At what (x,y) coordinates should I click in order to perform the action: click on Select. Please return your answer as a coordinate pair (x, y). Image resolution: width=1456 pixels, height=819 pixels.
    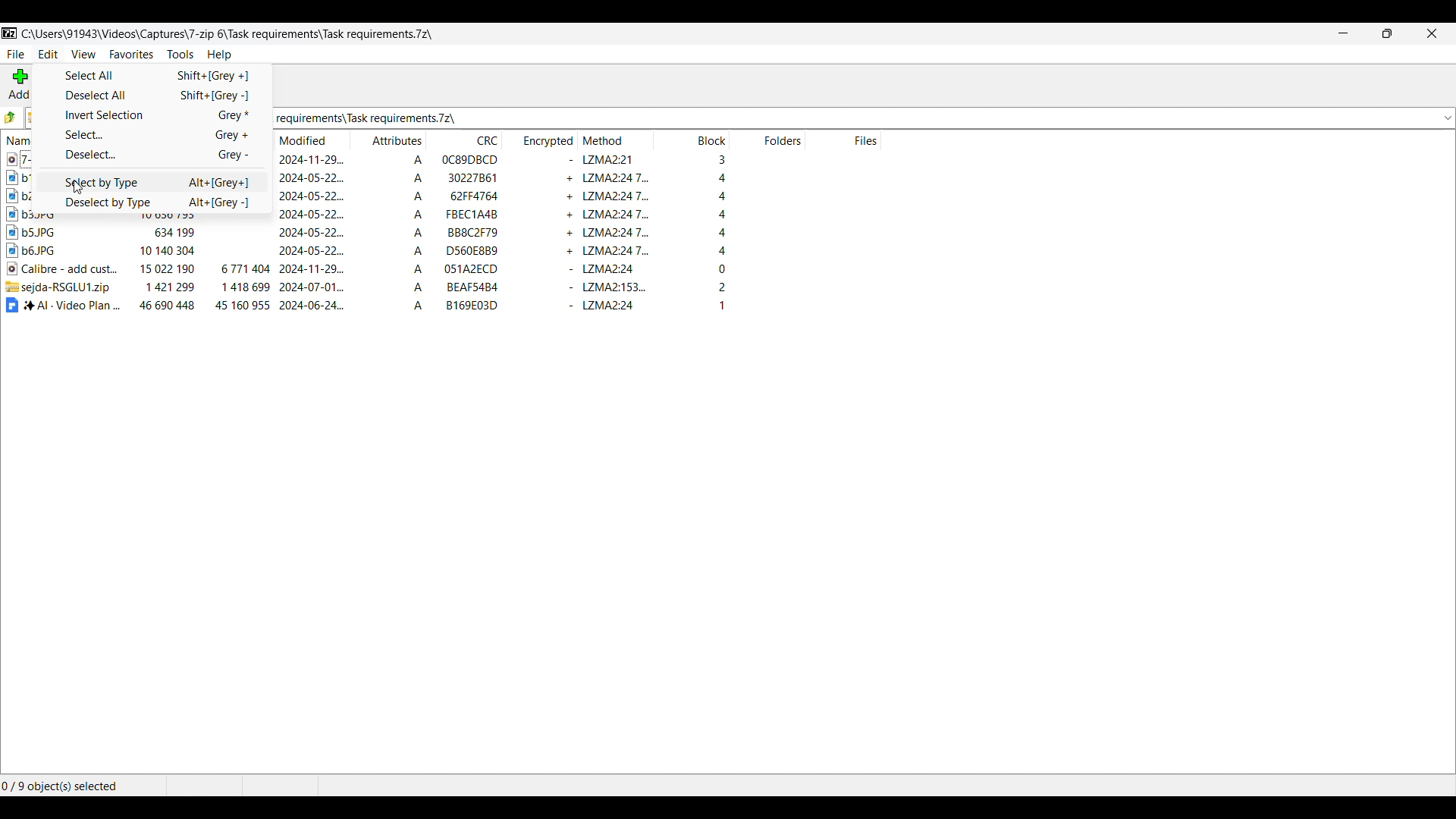
    Looking at the image, I should click on (153, 135).